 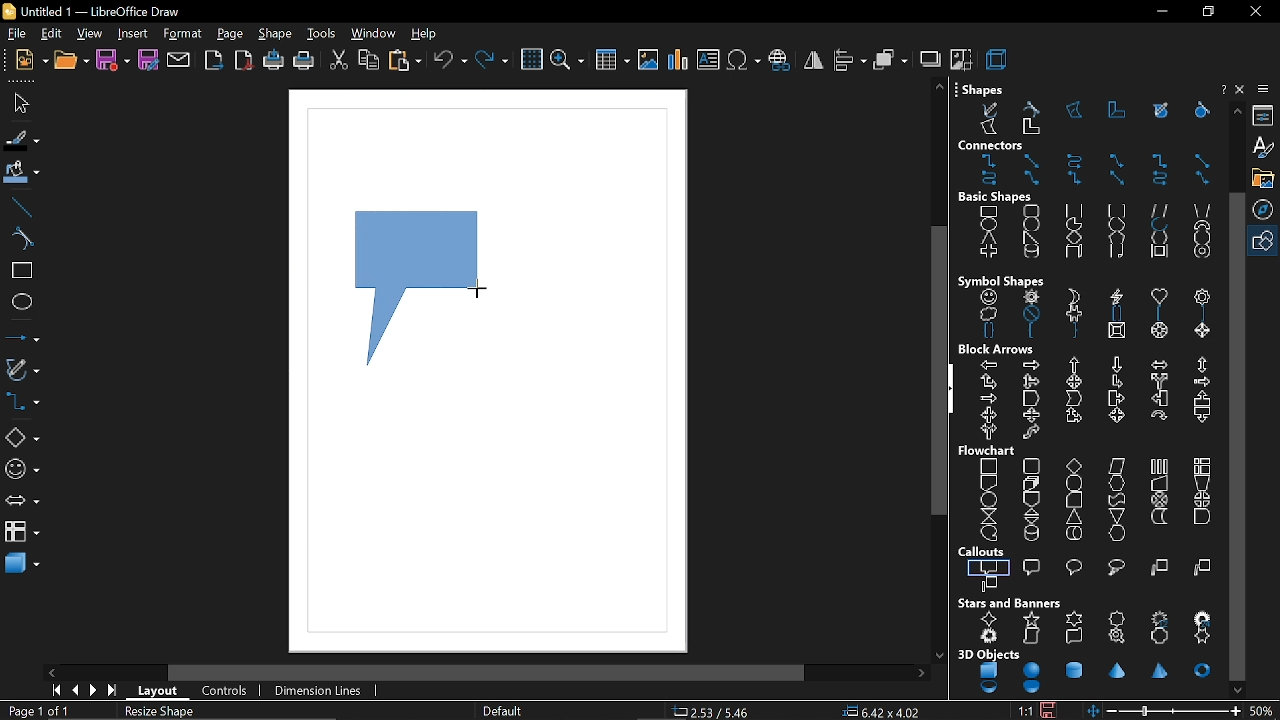 What do you see at coordinates (481, 291) in the screenshot?
I see `Cursor` at bounding box center [481, 291].